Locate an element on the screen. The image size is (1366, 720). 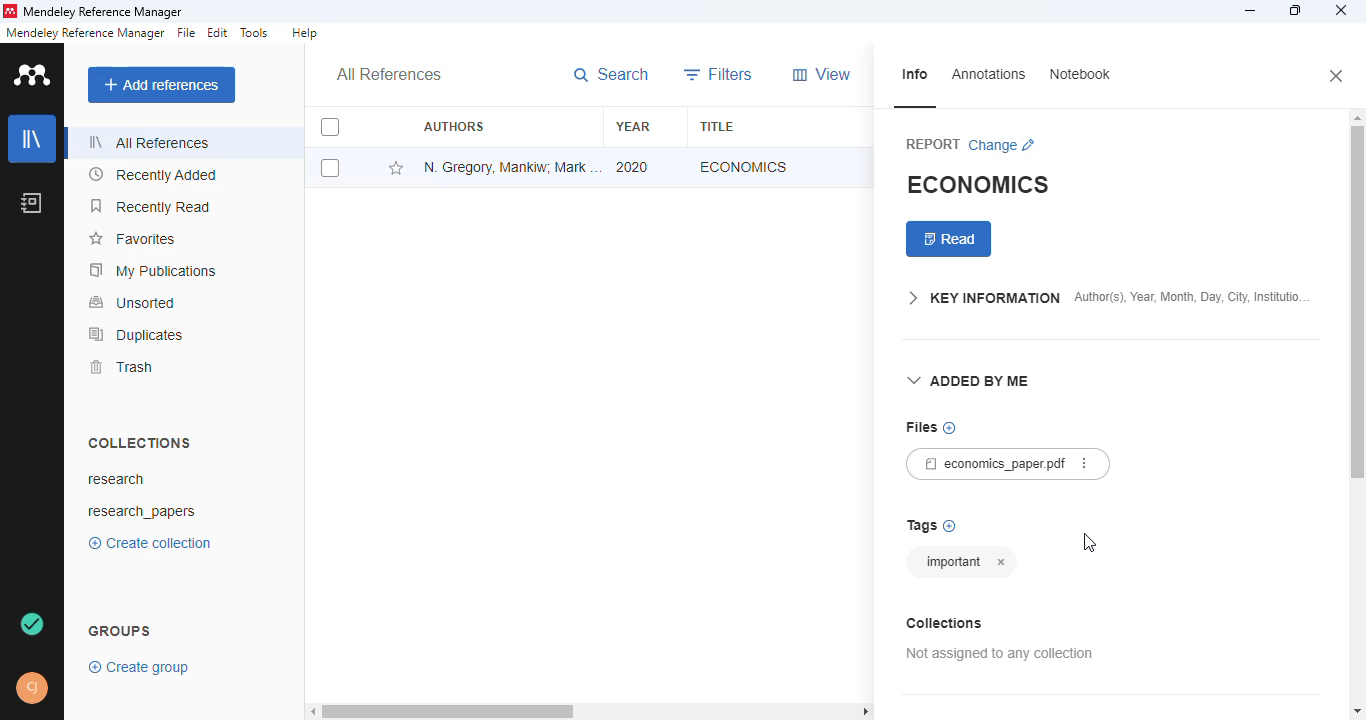
not assigned to any collection is located at coordinates (998, 654).